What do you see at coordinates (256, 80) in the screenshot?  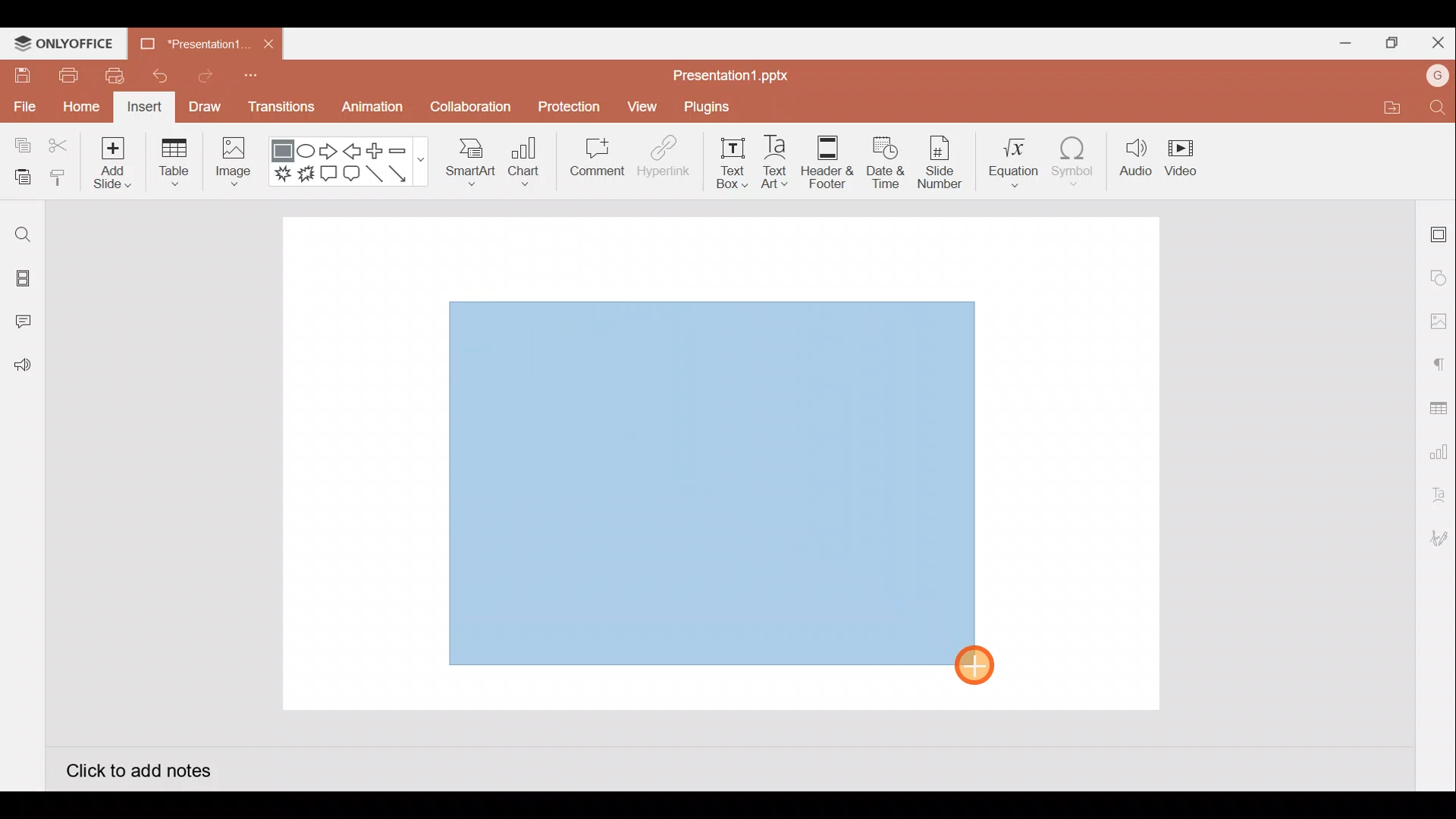 I see `Customize quick access toolbar` at bounding box center [256, 80].